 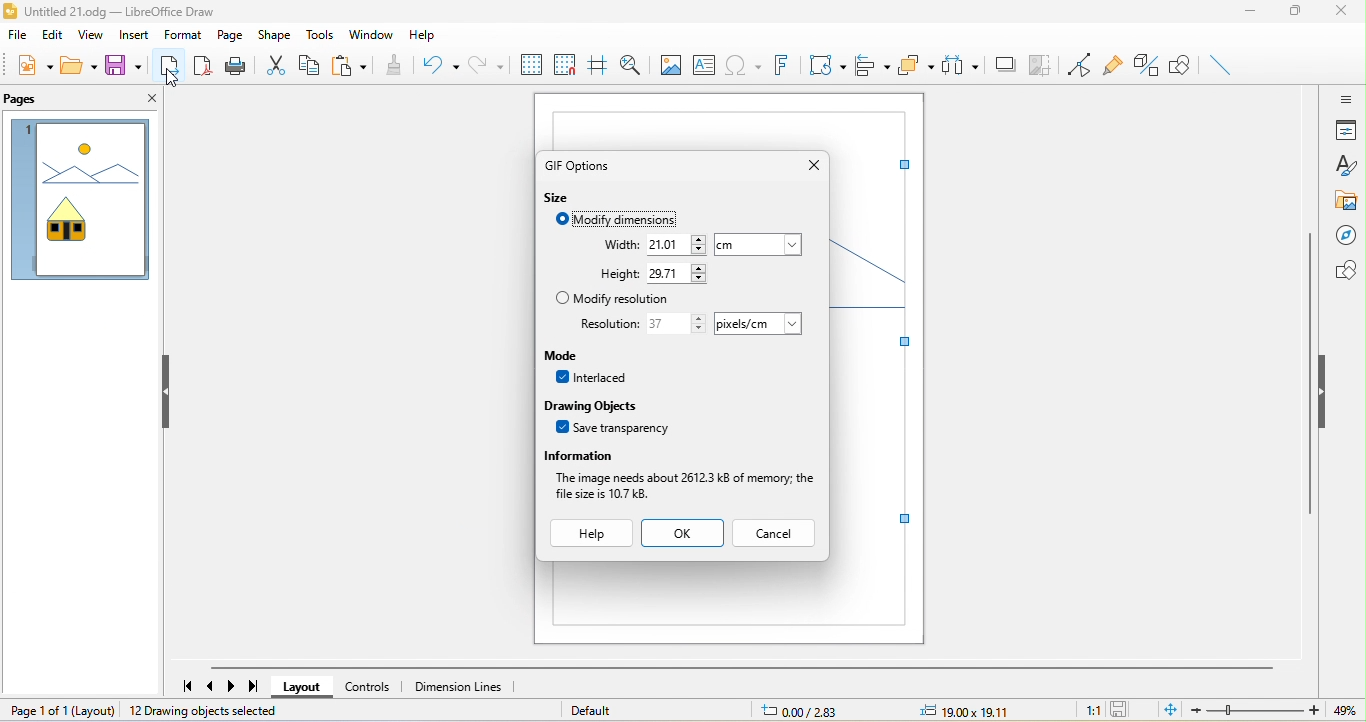 What do you see at coordinates (759, 243) in the screenshot?
I see `` at bounding box center [759, 243].